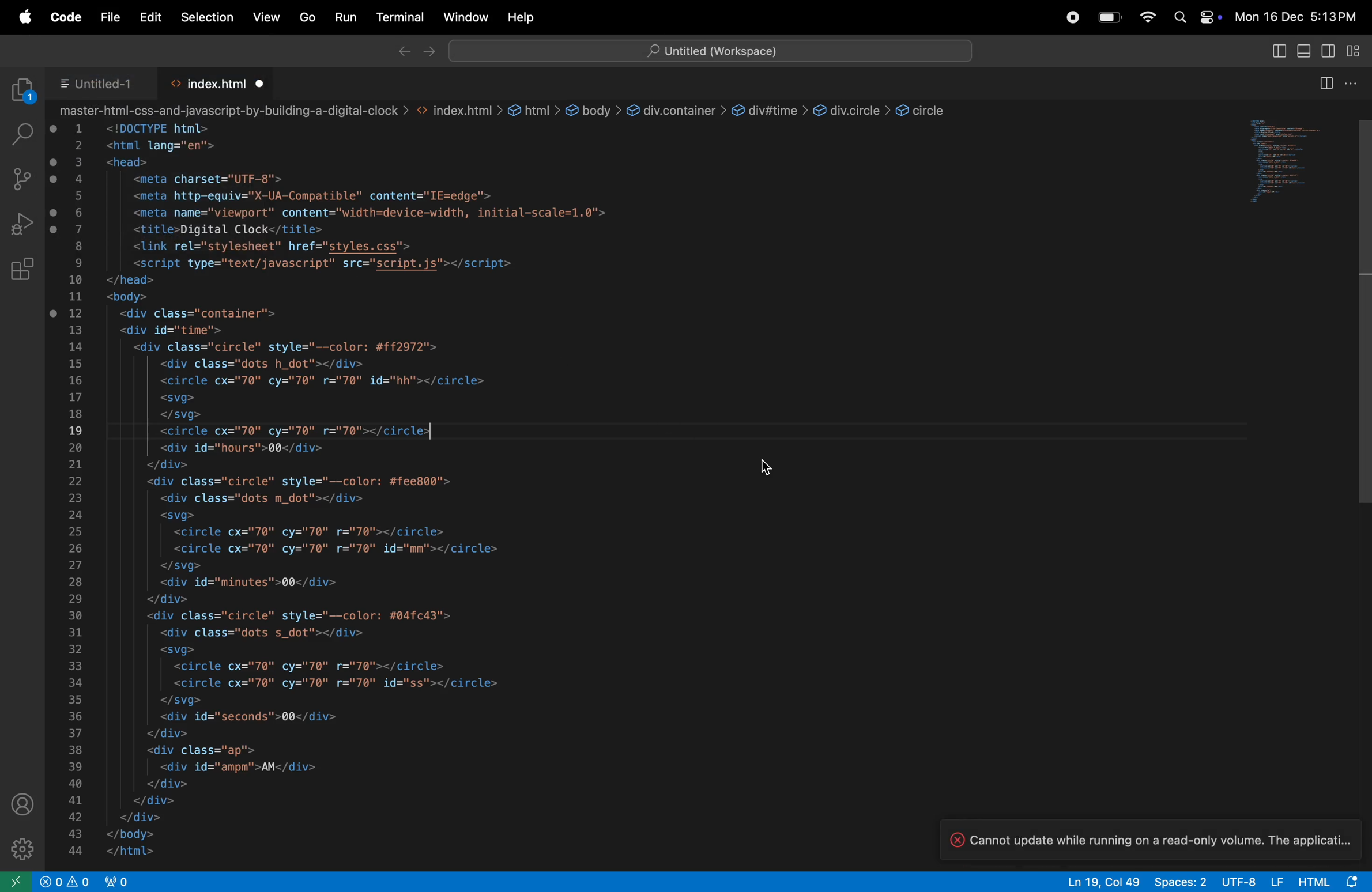 The width and height of the screenshot is (1372, 892). Describe the element at coordinates (24, 179) in the screenshot. I see `source control` at that location.